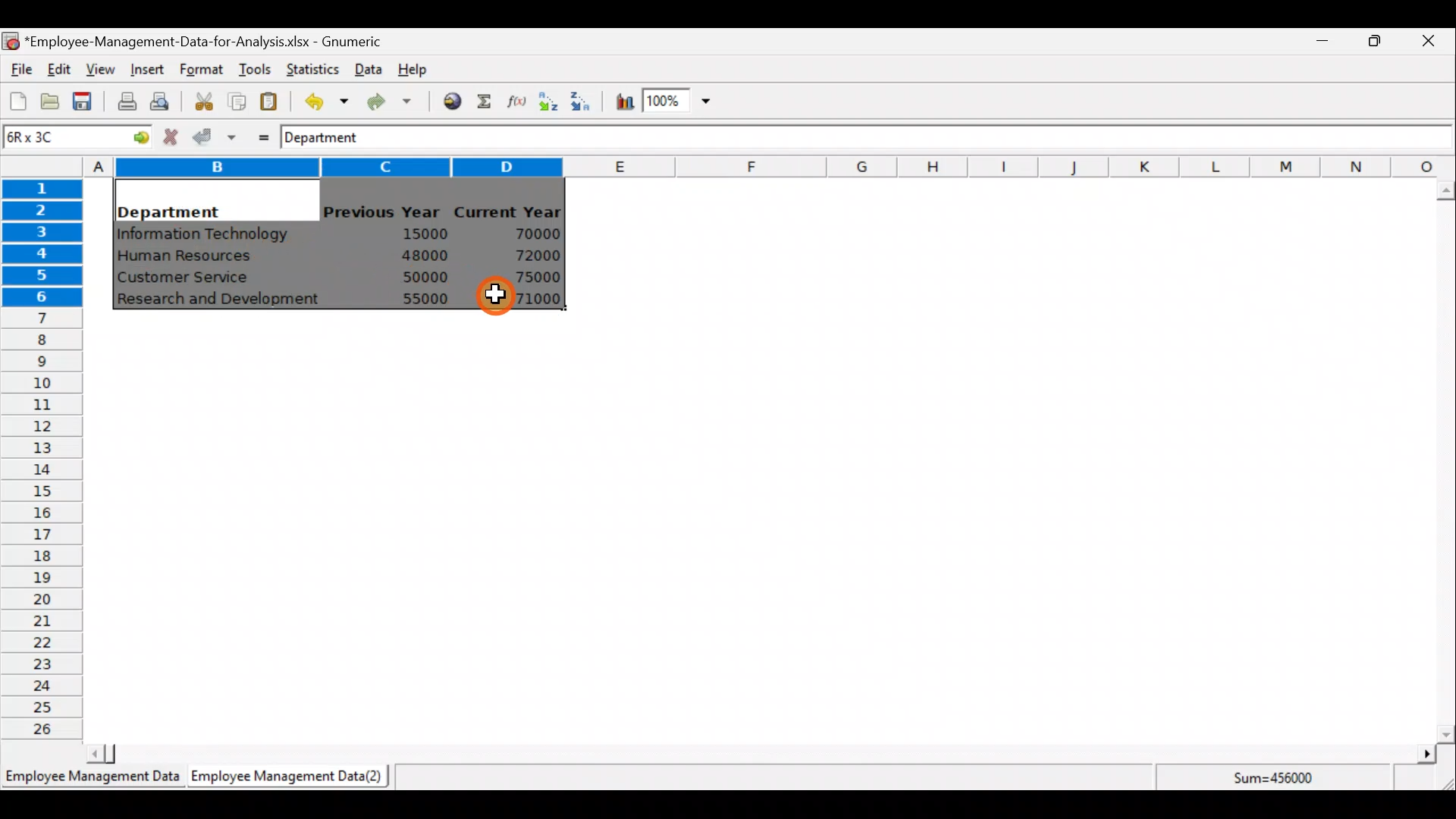  I want to click on Cursor on cell D6, so click(497, 298).